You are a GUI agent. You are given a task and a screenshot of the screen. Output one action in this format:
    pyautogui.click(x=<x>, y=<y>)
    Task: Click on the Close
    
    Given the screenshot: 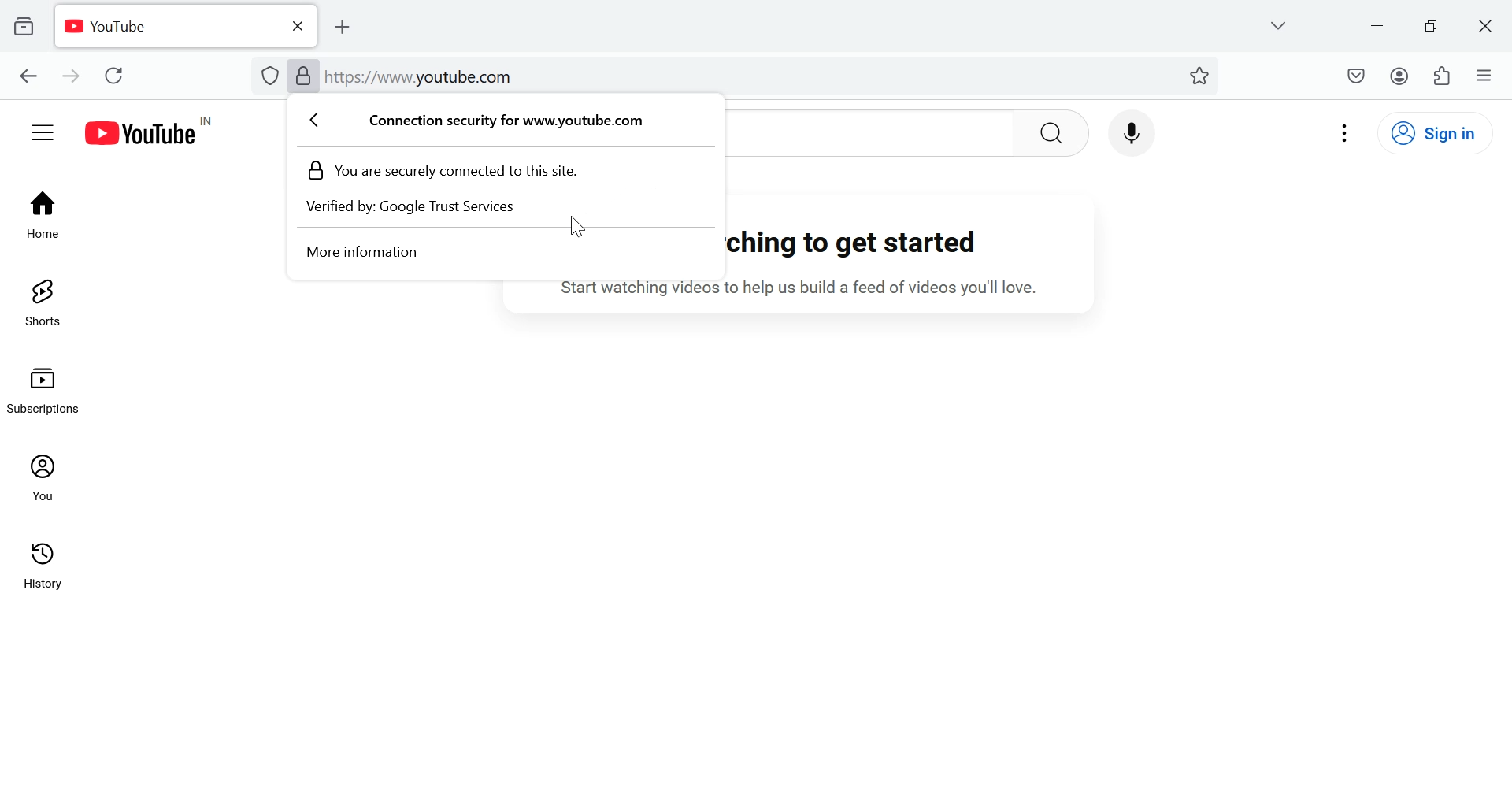 What is the action you would take?
    pyautogui.click(x=295, y=25)
    